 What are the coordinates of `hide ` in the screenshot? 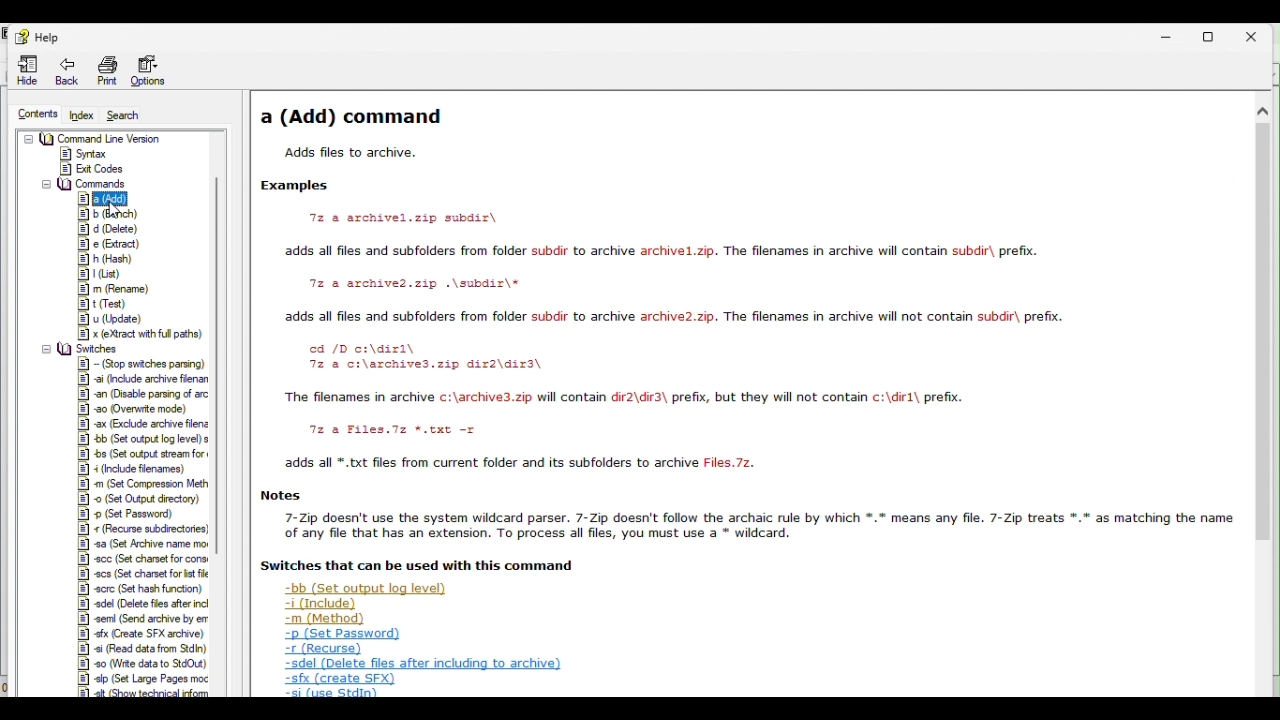 It's located at (24, 71).